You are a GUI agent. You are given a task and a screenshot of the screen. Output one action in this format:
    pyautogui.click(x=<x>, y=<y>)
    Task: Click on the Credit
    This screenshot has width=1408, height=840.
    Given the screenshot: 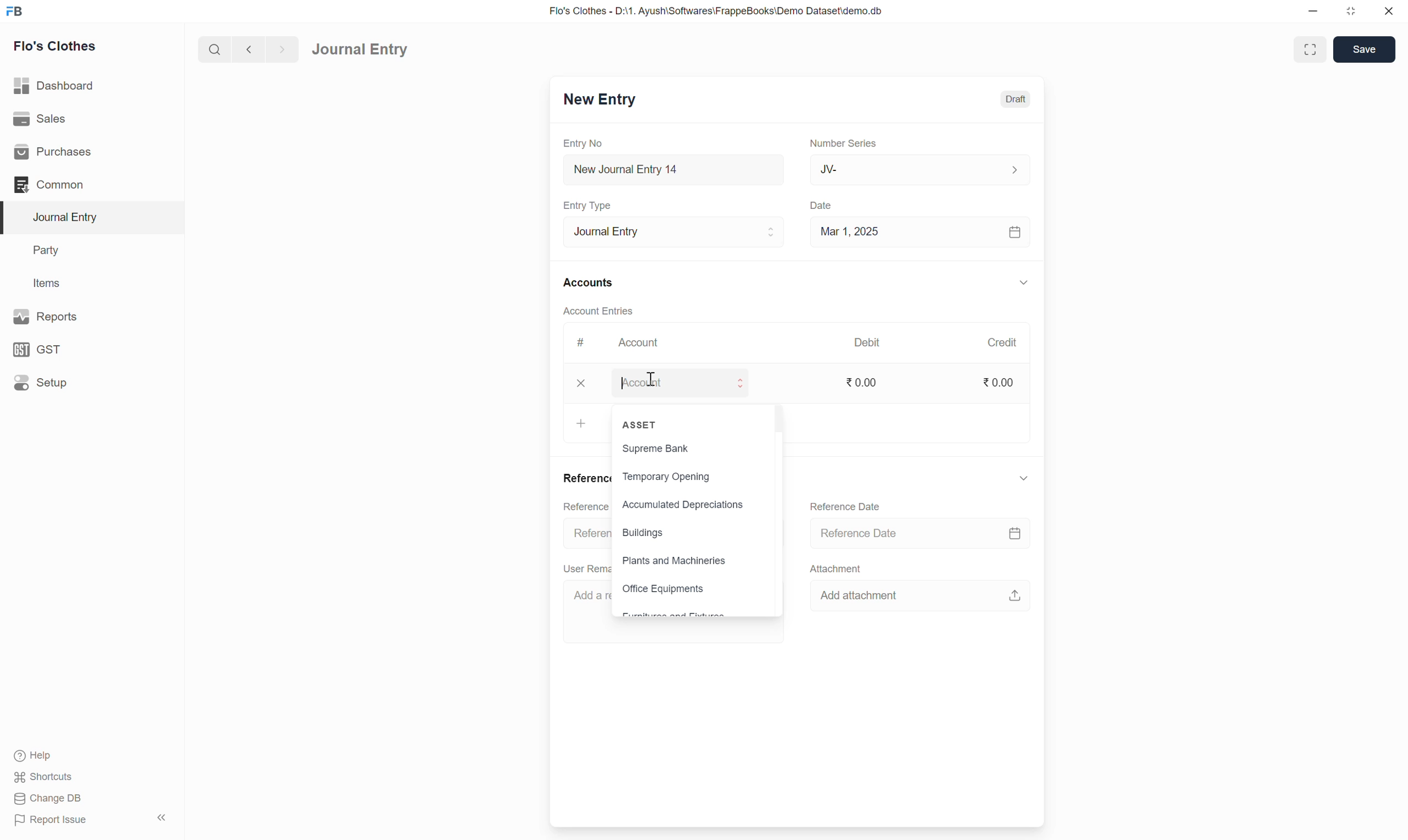 What is the action you would take?
    pyautogui.click(x=1002, y=342)
    